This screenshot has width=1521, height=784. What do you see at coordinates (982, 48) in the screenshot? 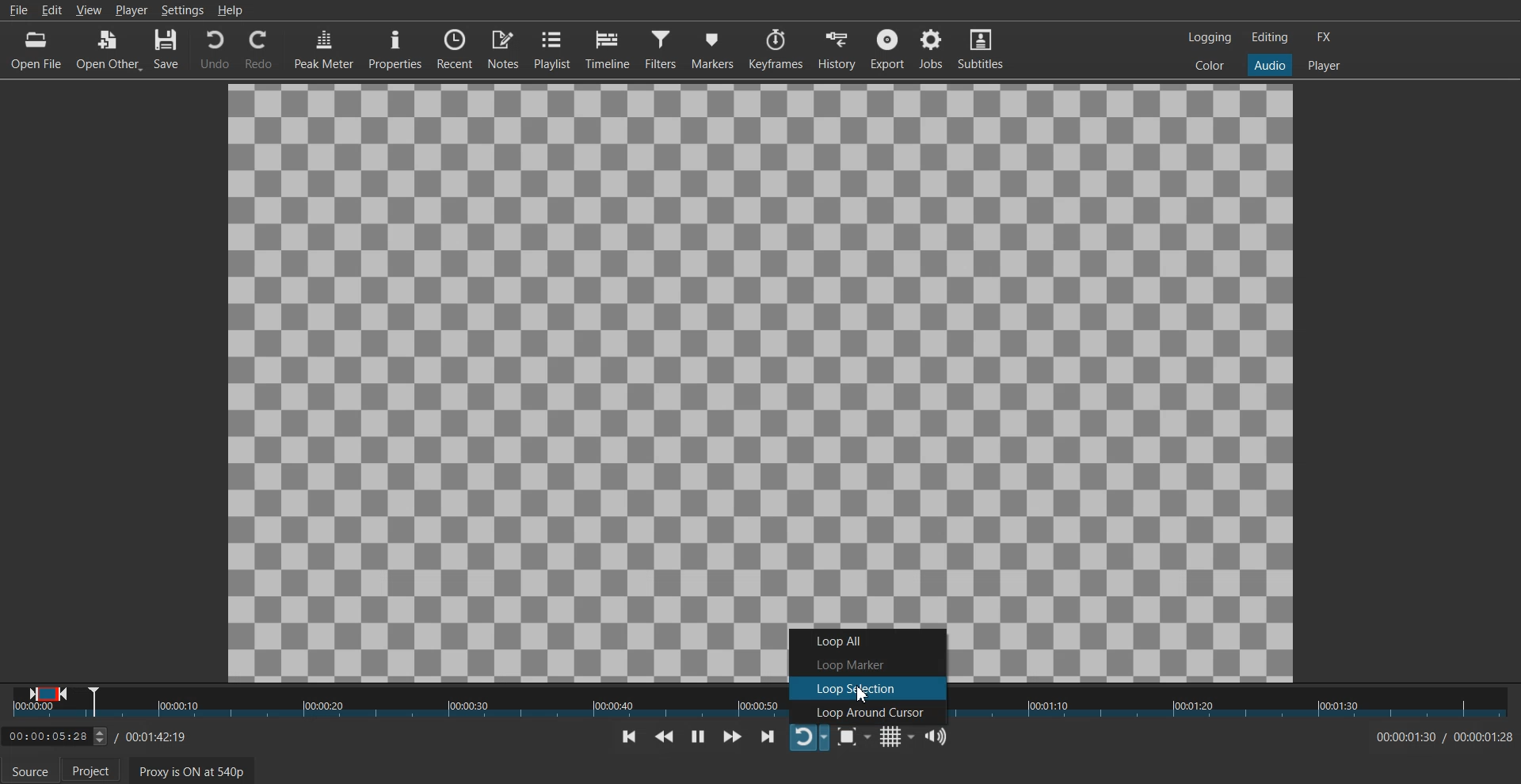
I see `Subtitle` at bounding box center [982, 48].